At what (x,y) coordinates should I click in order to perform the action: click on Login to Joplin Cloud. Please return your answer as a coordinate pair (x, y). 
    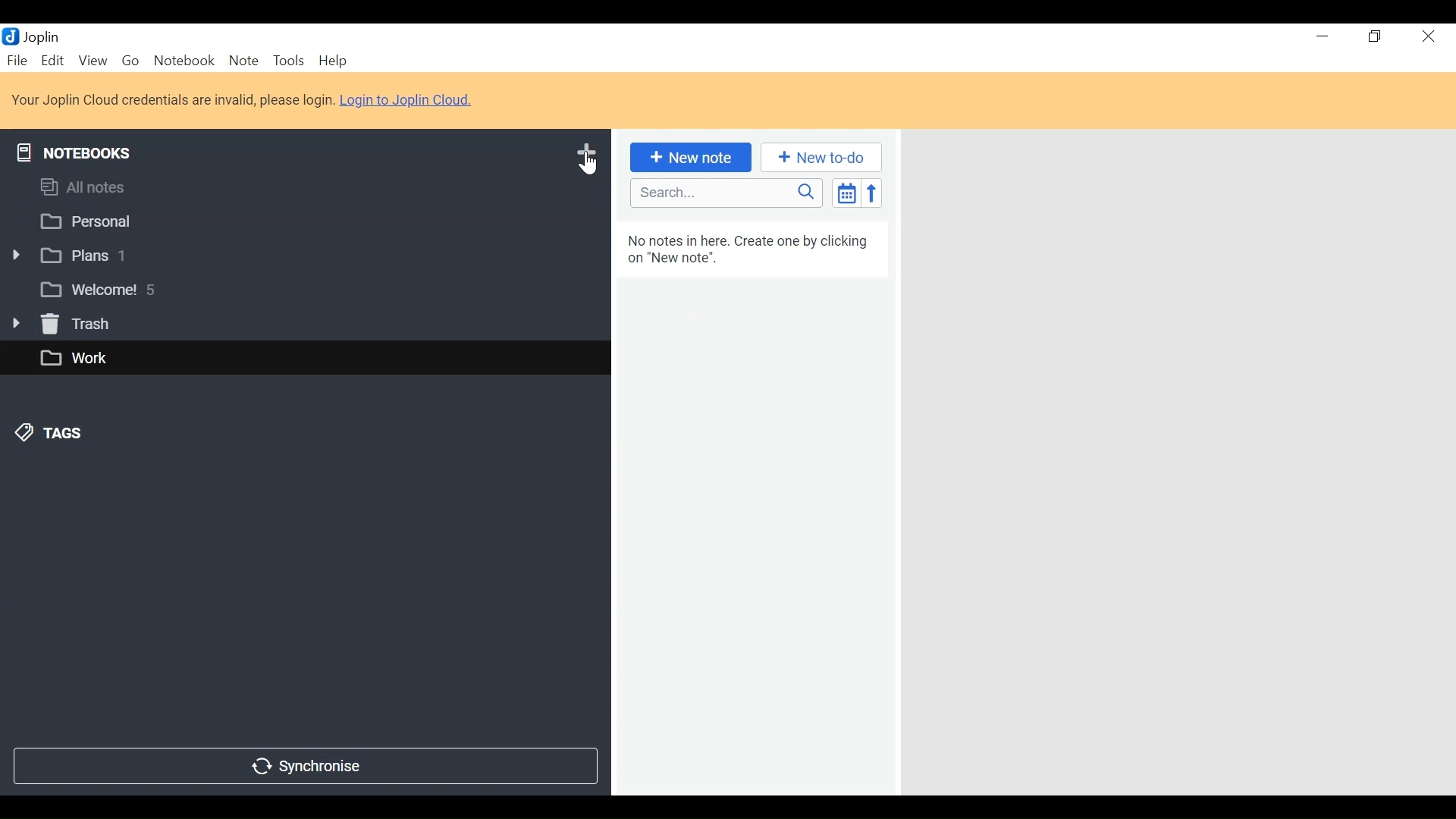
    Looking at the image, I should click on (405, 106).